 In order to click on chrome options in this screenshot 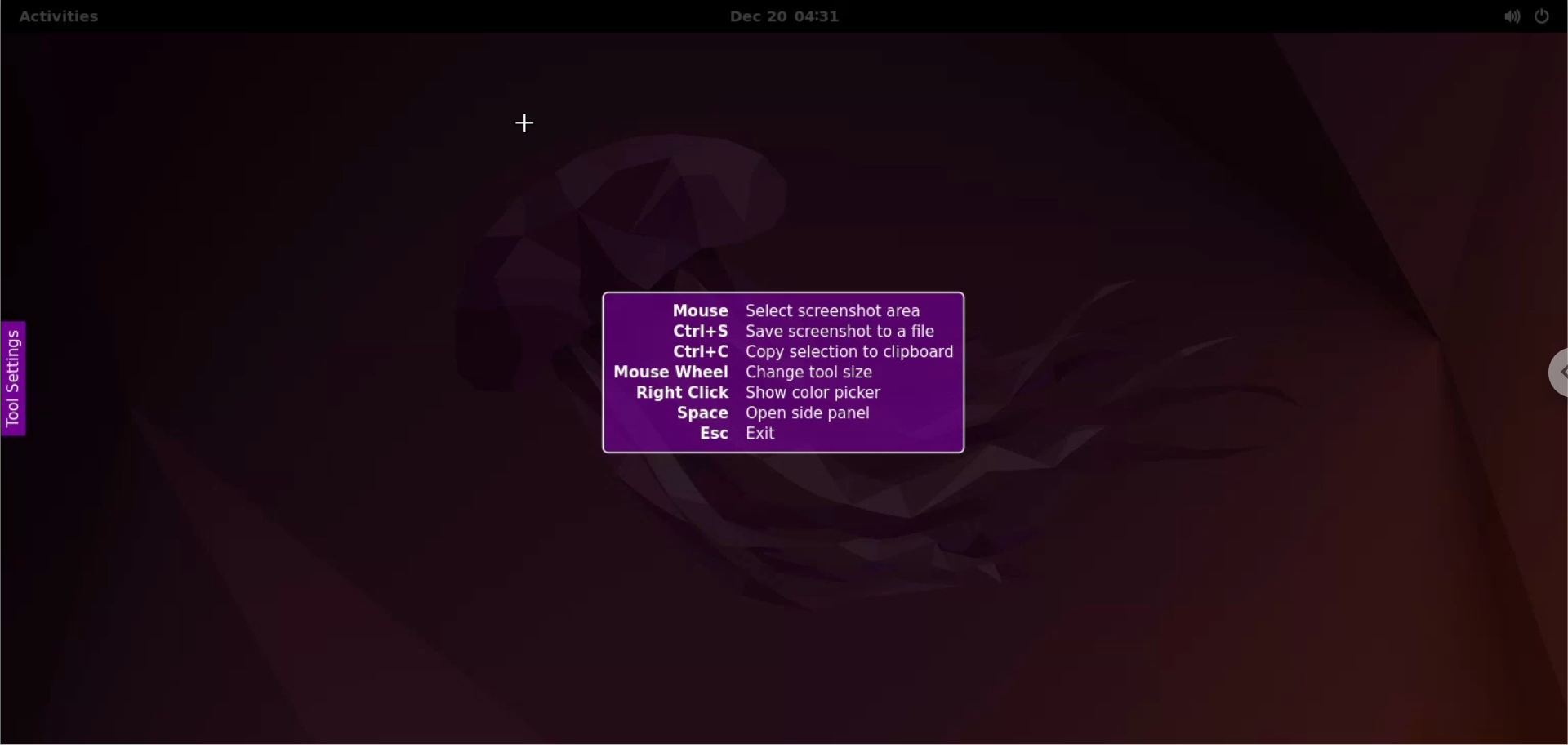, I will do `click(1555, 373)`.